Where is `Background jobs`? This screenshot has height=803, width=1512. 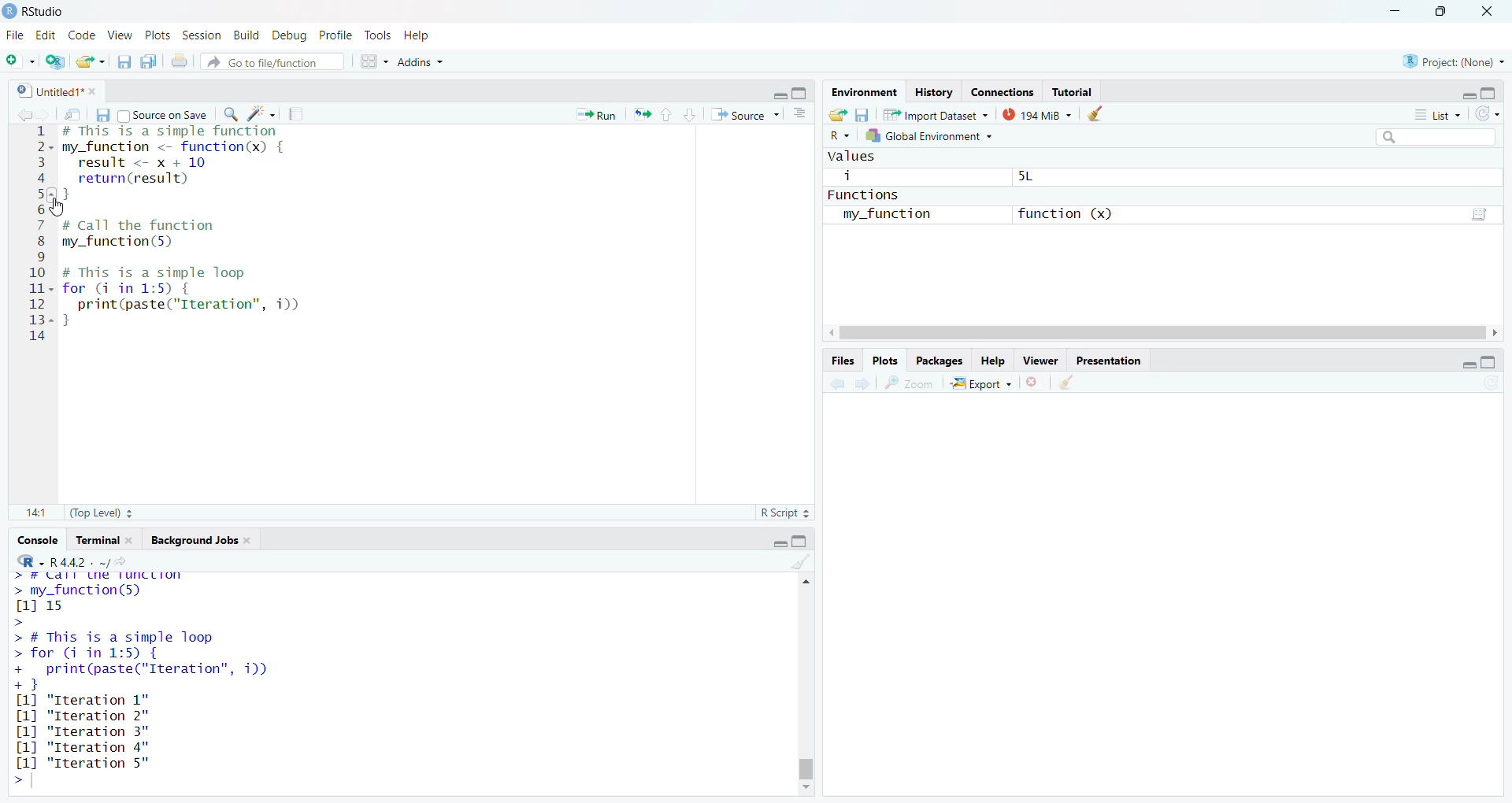 Background jobs is located at coordinates (194, 540).